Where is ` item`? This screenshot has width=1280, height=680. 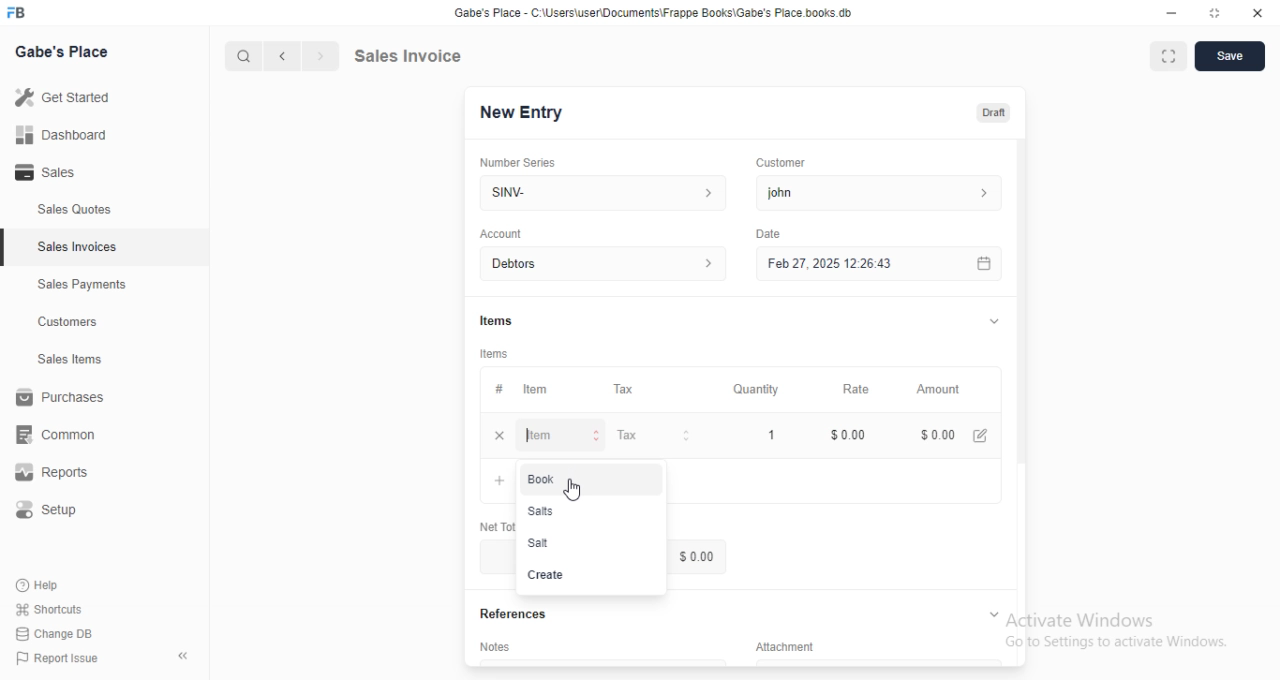  item is located at coordinates (565, 436).